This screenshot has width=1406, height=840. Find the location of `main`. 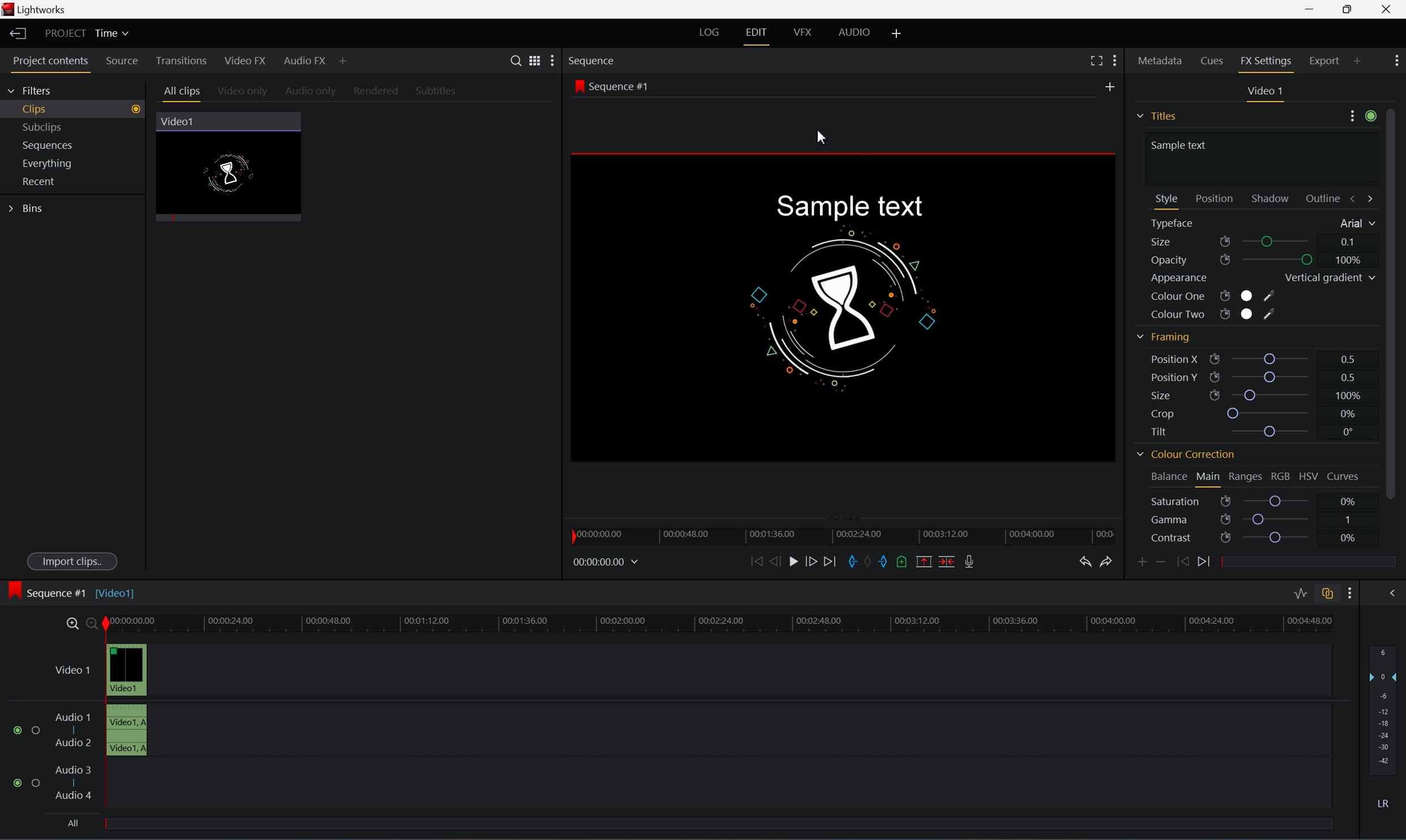

main is located at coordinates (1210, 478).